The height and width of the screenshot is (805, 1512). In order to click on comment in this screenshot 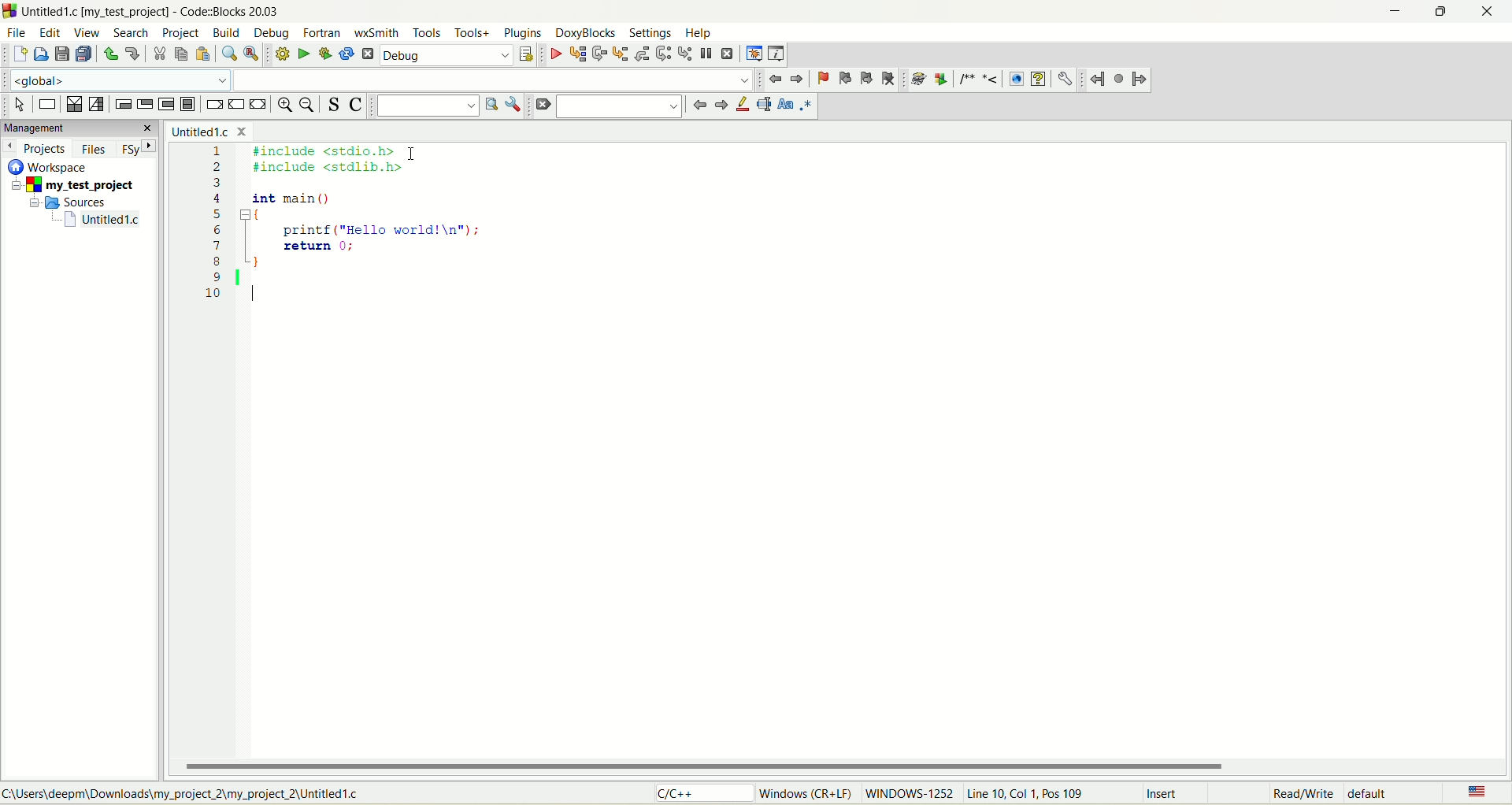, I will do `click(981, 80)`.